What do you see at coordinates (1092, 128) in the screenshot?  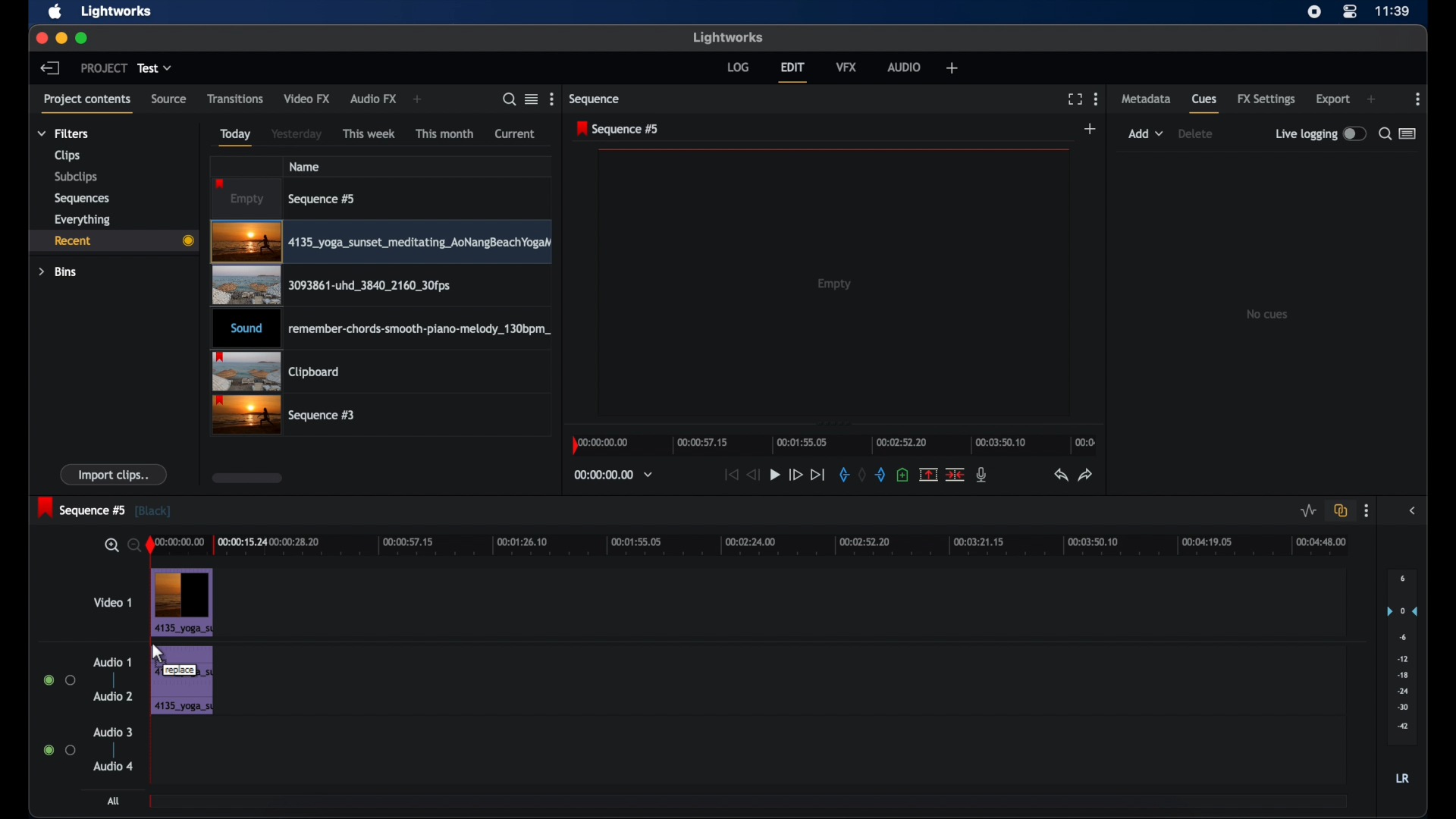 I see `add` at bounding box center [1092, 128].